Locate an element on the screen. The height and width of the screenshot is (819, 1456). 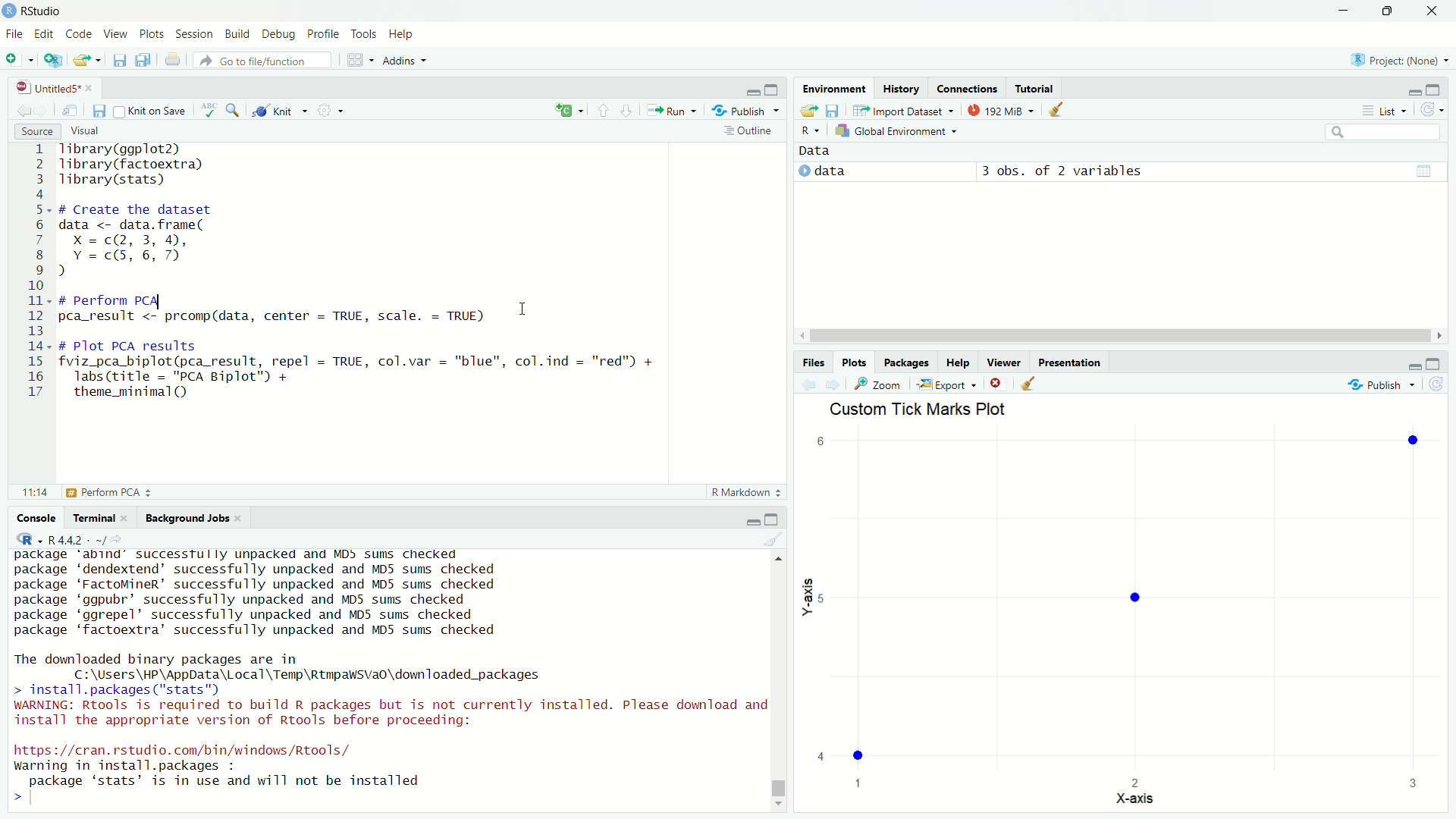
go to previous is located at coordinates (603, 110).